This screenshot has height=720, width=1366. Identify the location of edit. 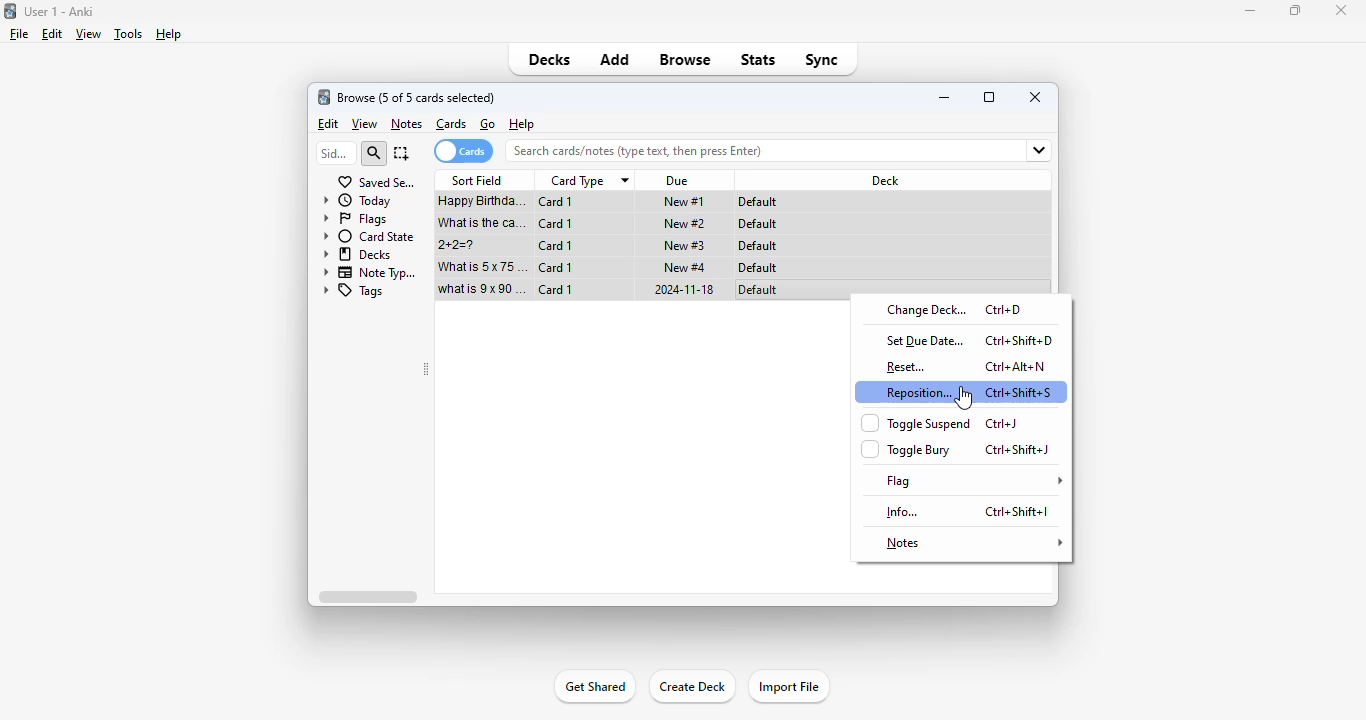
(53, 34).